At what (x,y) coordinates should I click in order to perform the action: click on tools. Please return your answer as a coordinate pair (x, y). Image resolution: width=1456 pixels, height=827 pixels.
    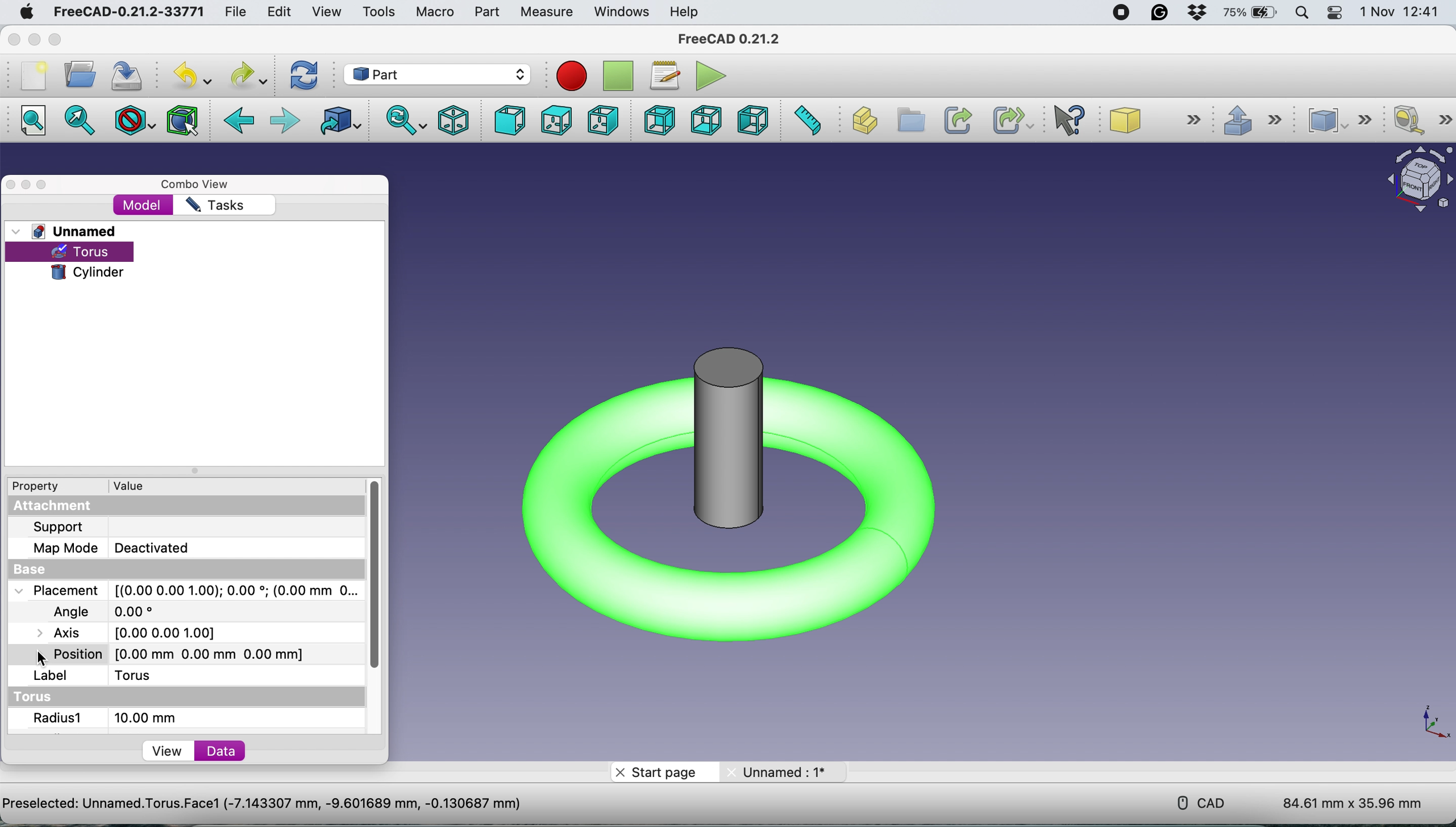
    Looking at the image, I should click on (379, 12).